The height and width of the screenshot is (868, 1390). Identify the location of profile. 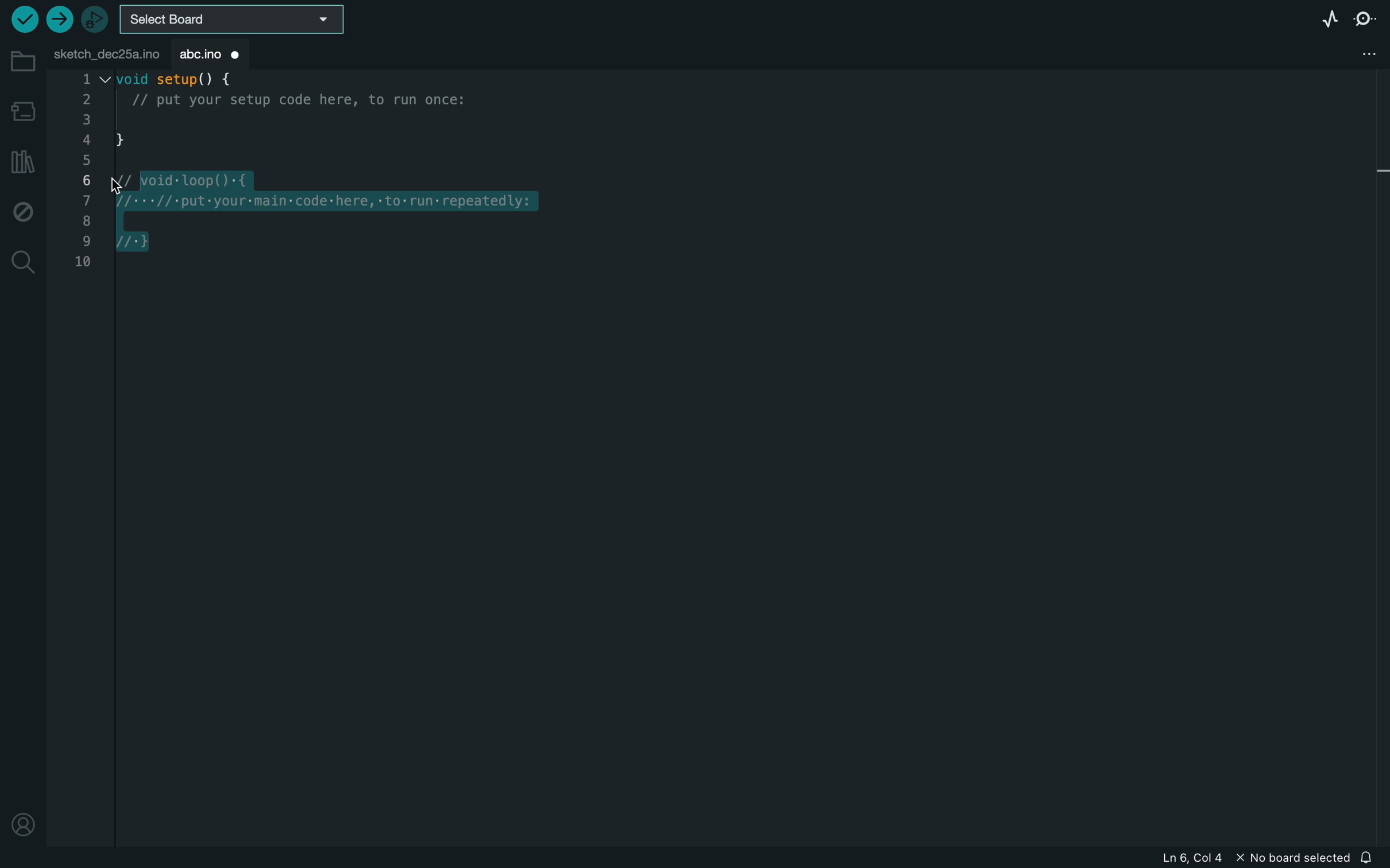
(24, 828).